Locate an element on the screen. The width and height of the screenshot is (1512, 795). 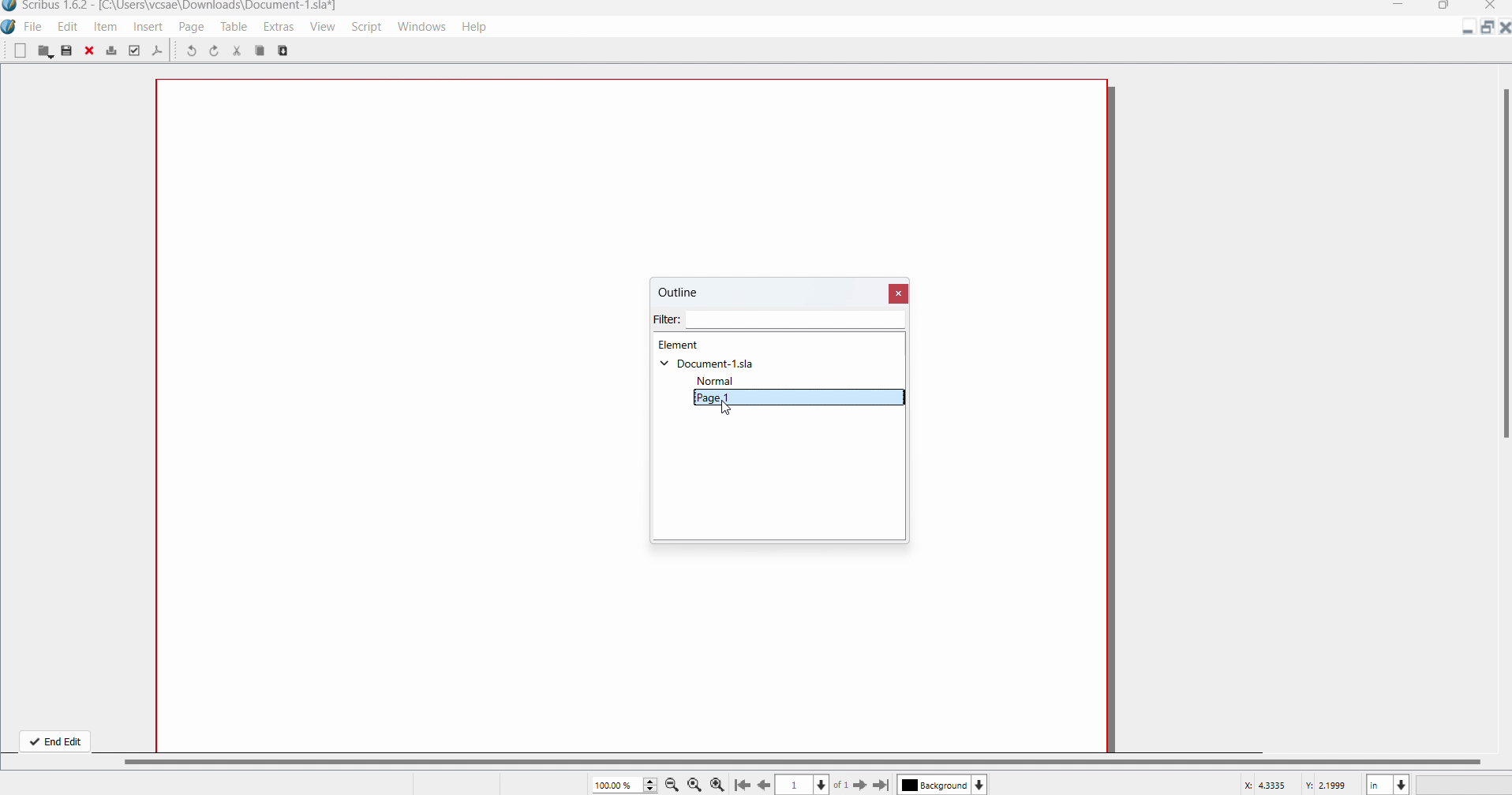
maximize is located at coordinates (1485, 28).